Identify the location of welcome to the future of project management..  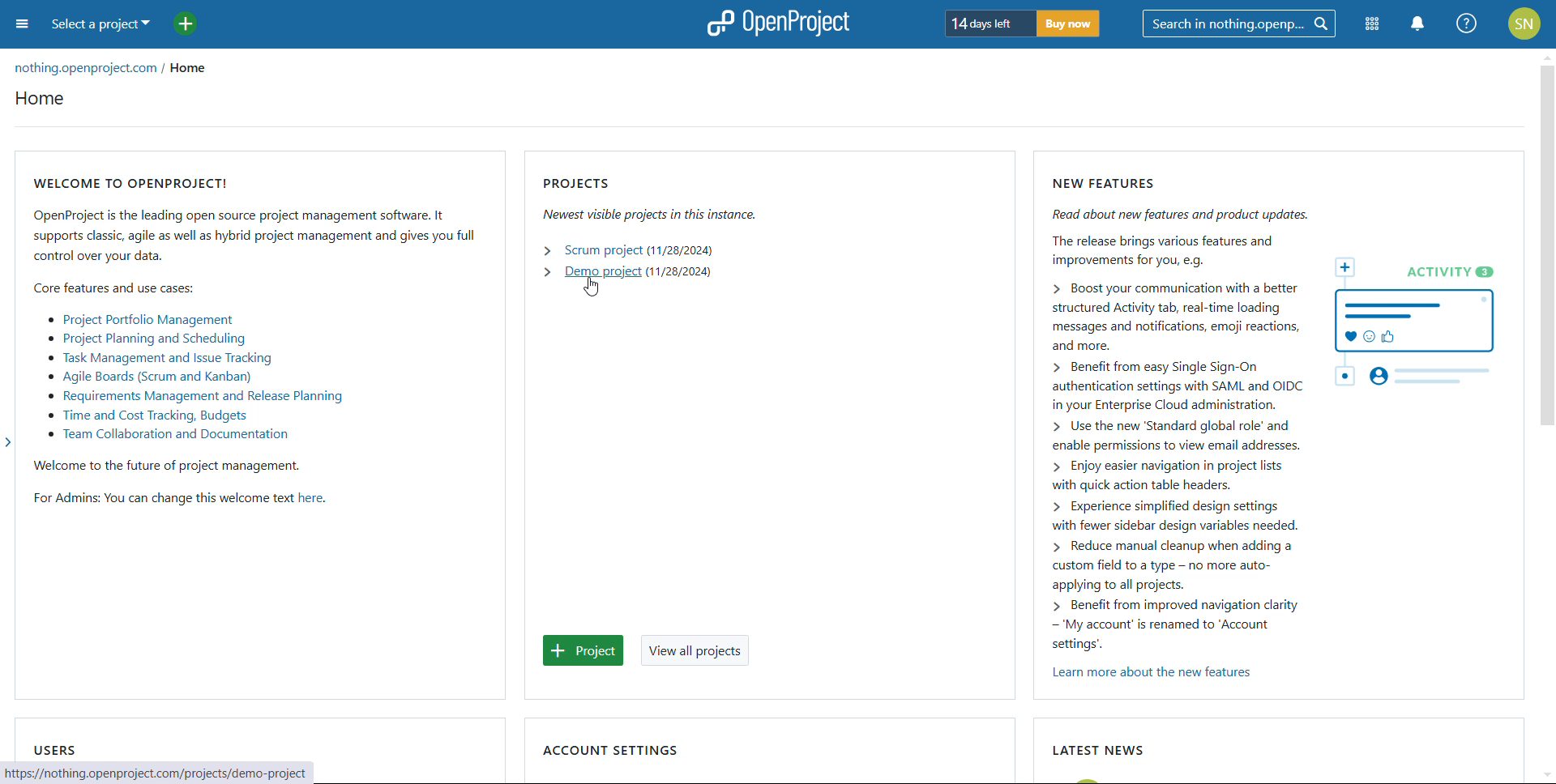
(169, 467).